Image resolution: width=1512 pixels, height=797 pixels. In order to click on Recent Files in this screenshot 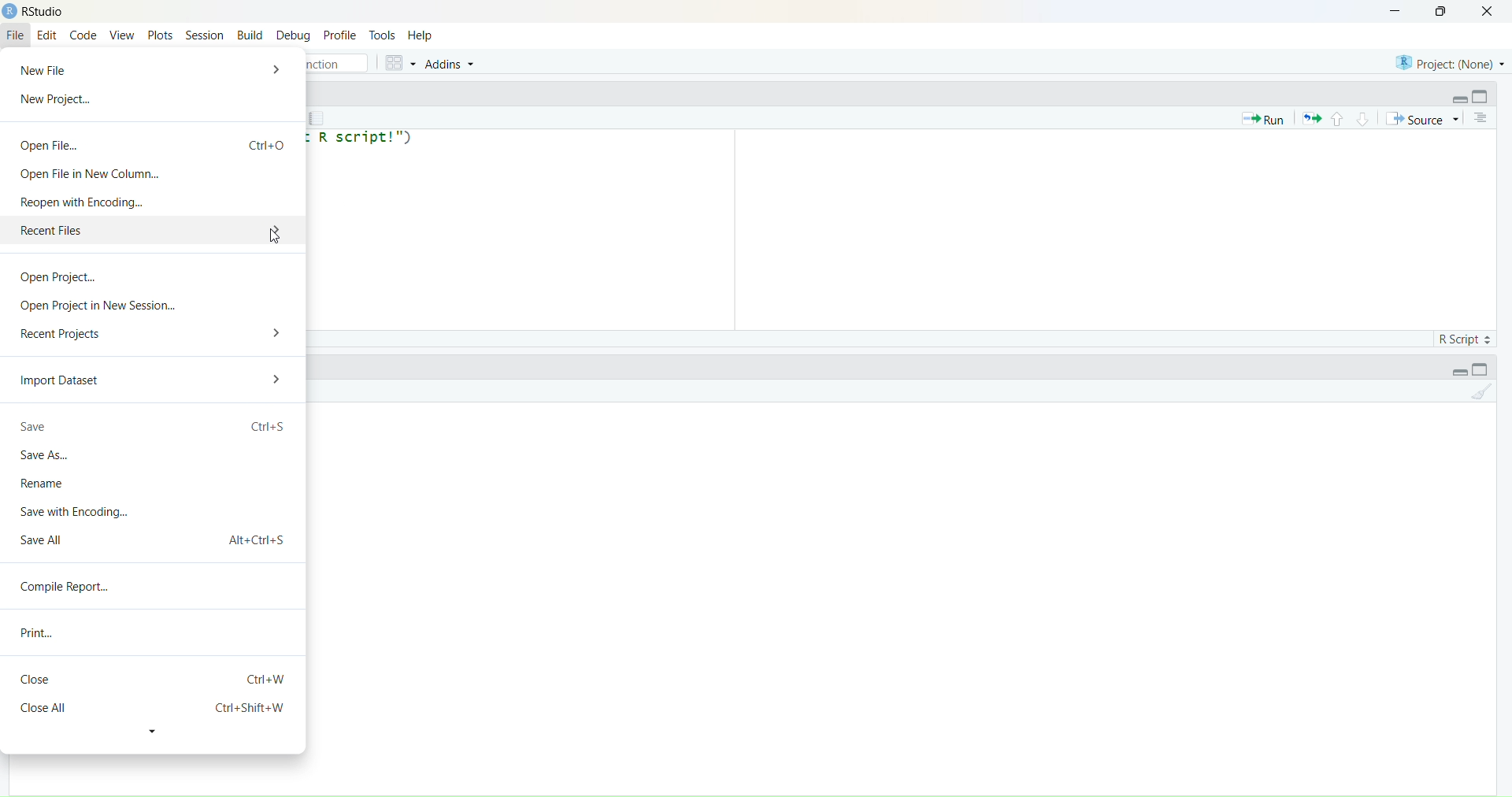, I will do `click(122, 232)`.